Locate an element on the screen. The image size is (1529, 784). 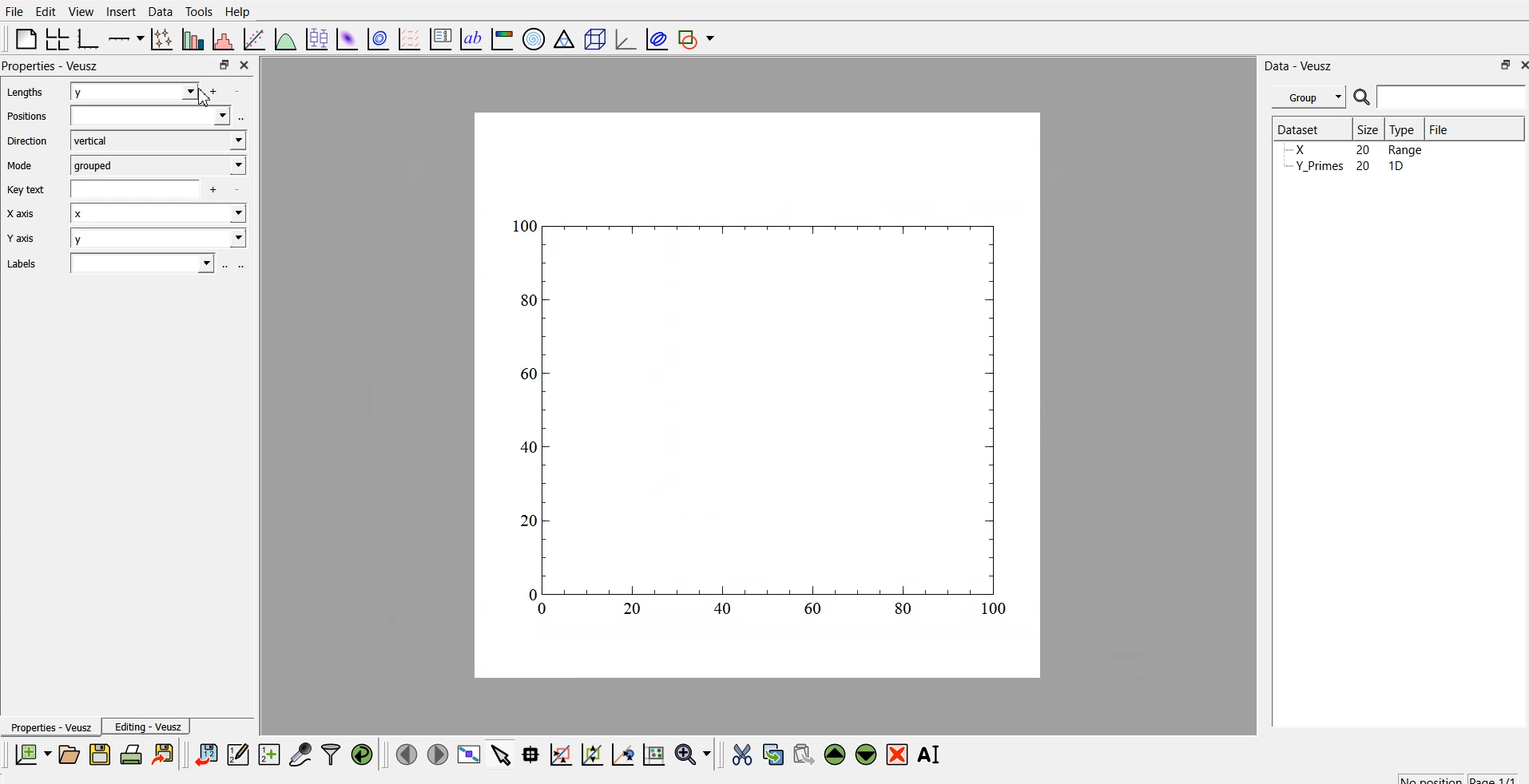
editor is located at coordinates (239, 754).